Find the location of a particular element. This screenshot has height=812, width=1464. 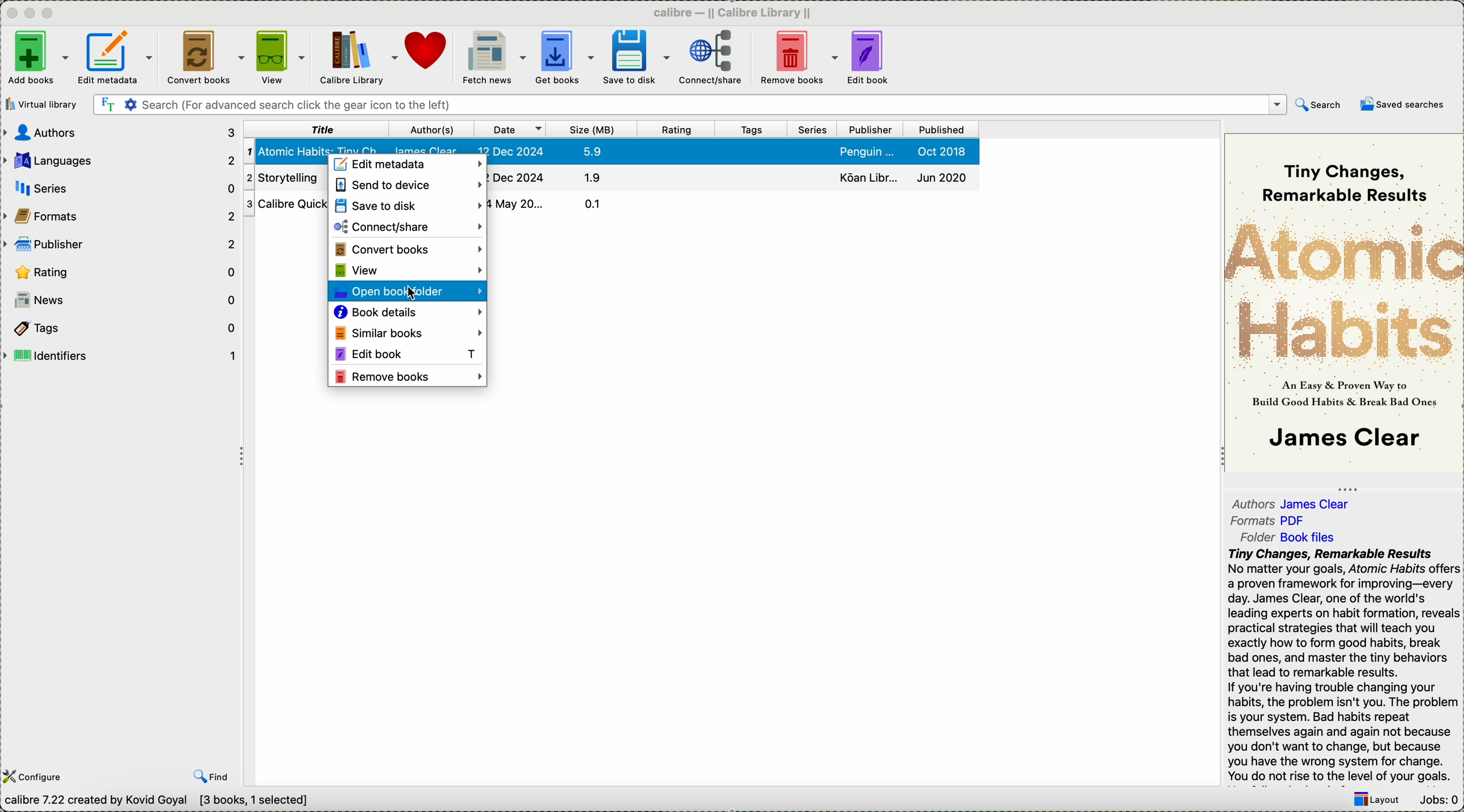

date is located at coordinates (510, 130).